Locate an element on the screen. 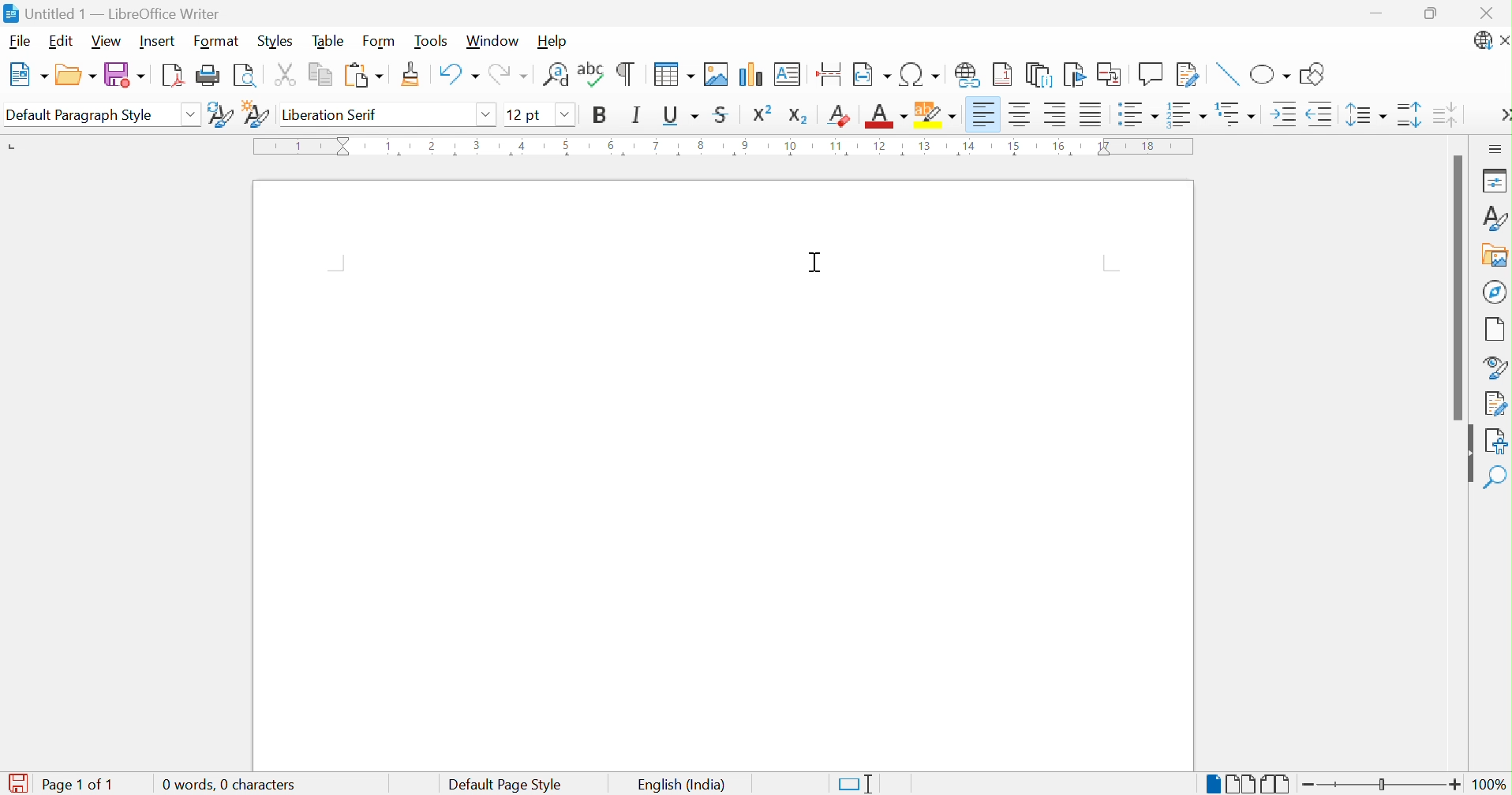 This screenshot has width=1512, height=795. Bold is located at coordinates (602, 116).